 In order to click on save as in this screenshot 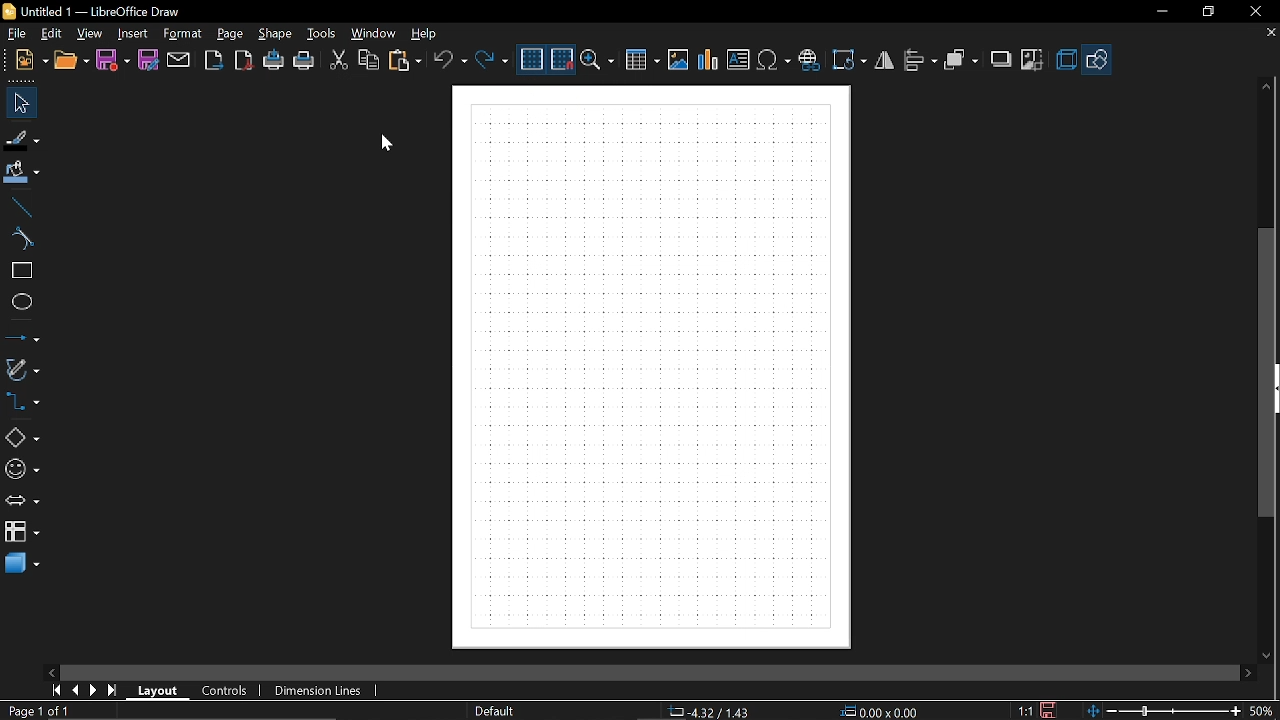, I will do `click(148, 60)`.